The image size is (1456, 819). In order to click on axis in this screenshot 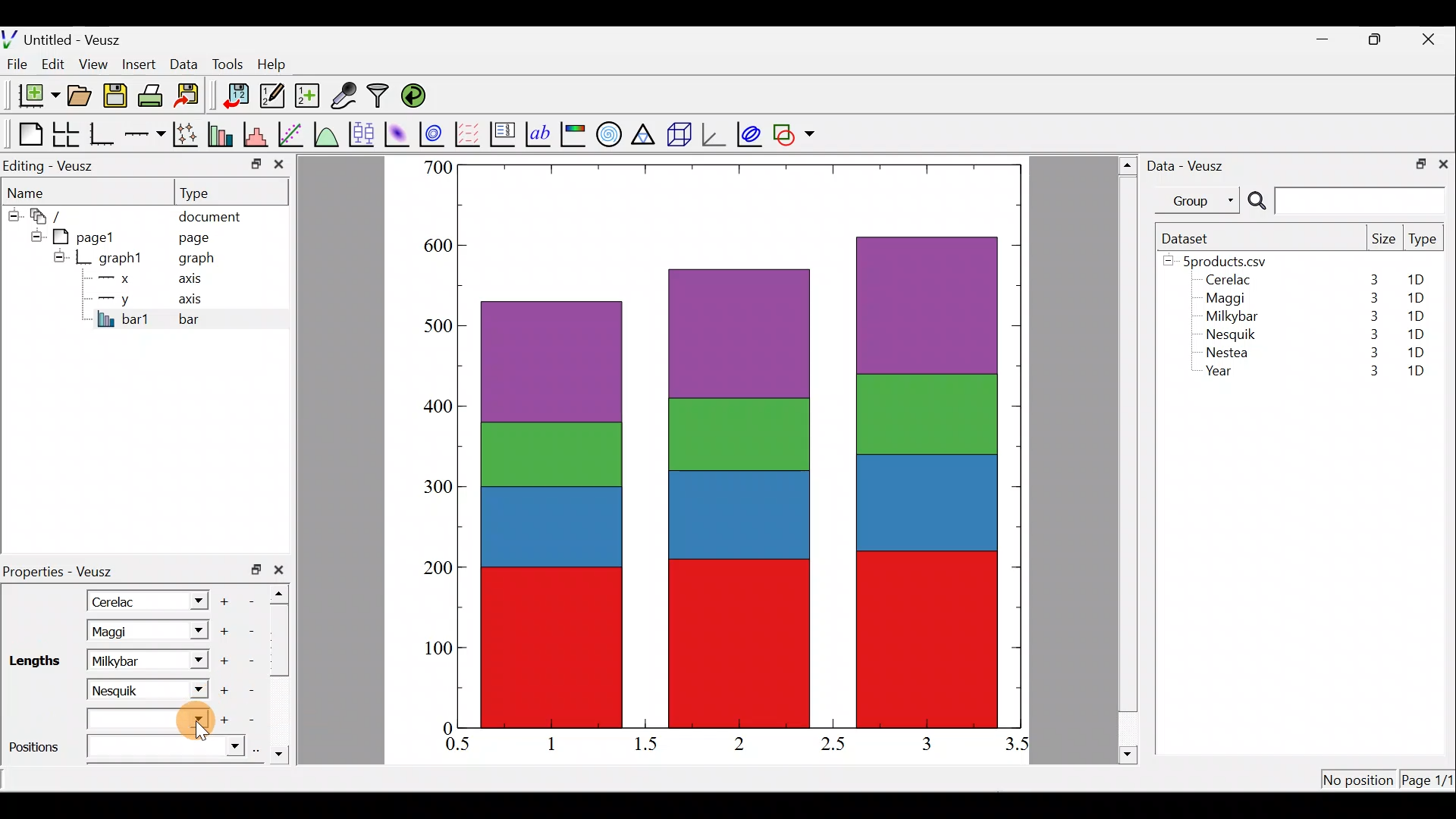, I will do `click(197, 300)`.